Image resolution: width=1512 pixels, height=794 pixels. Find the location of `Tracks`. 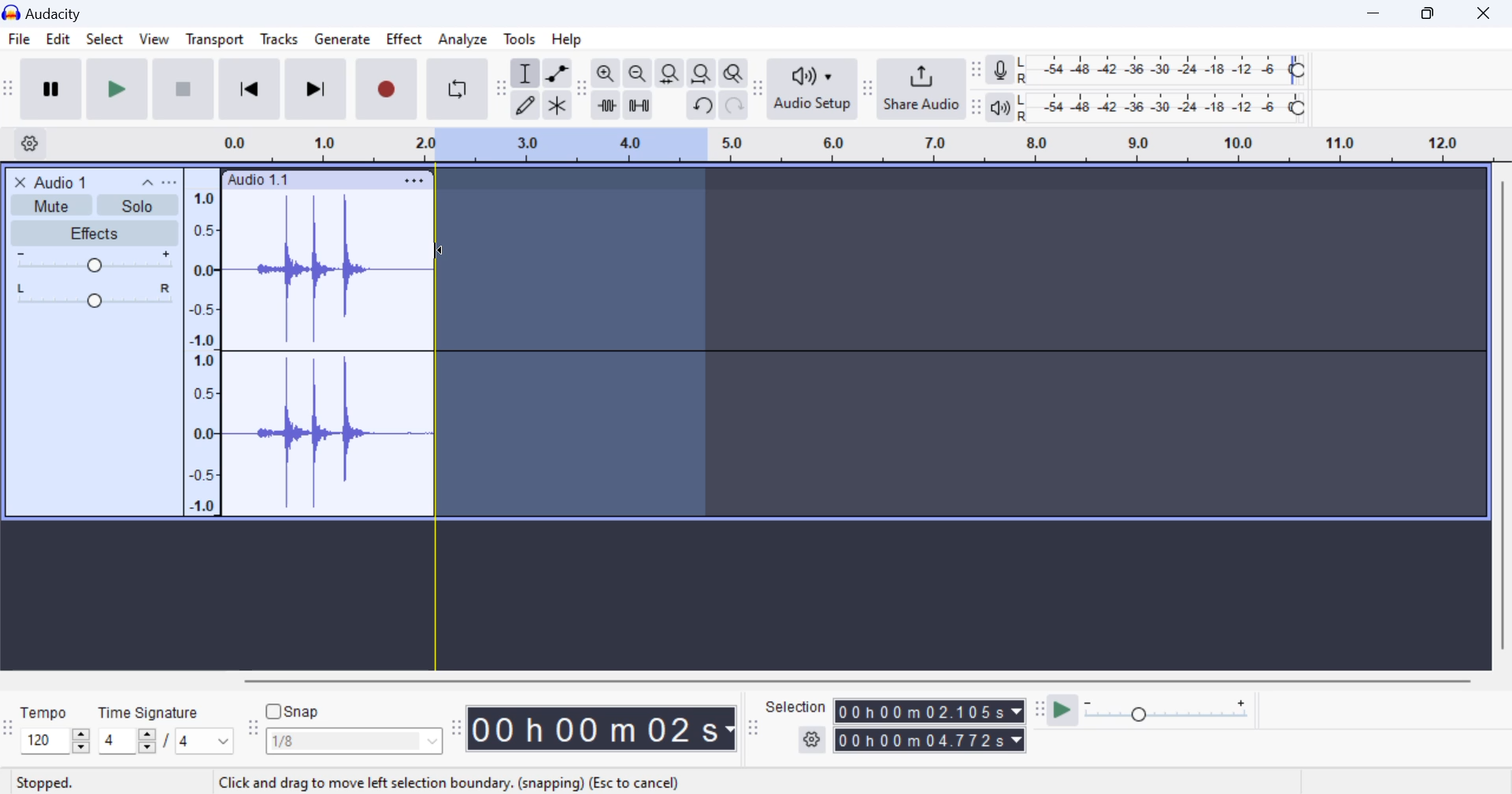

Tracks is located at coordinates (280, 43).